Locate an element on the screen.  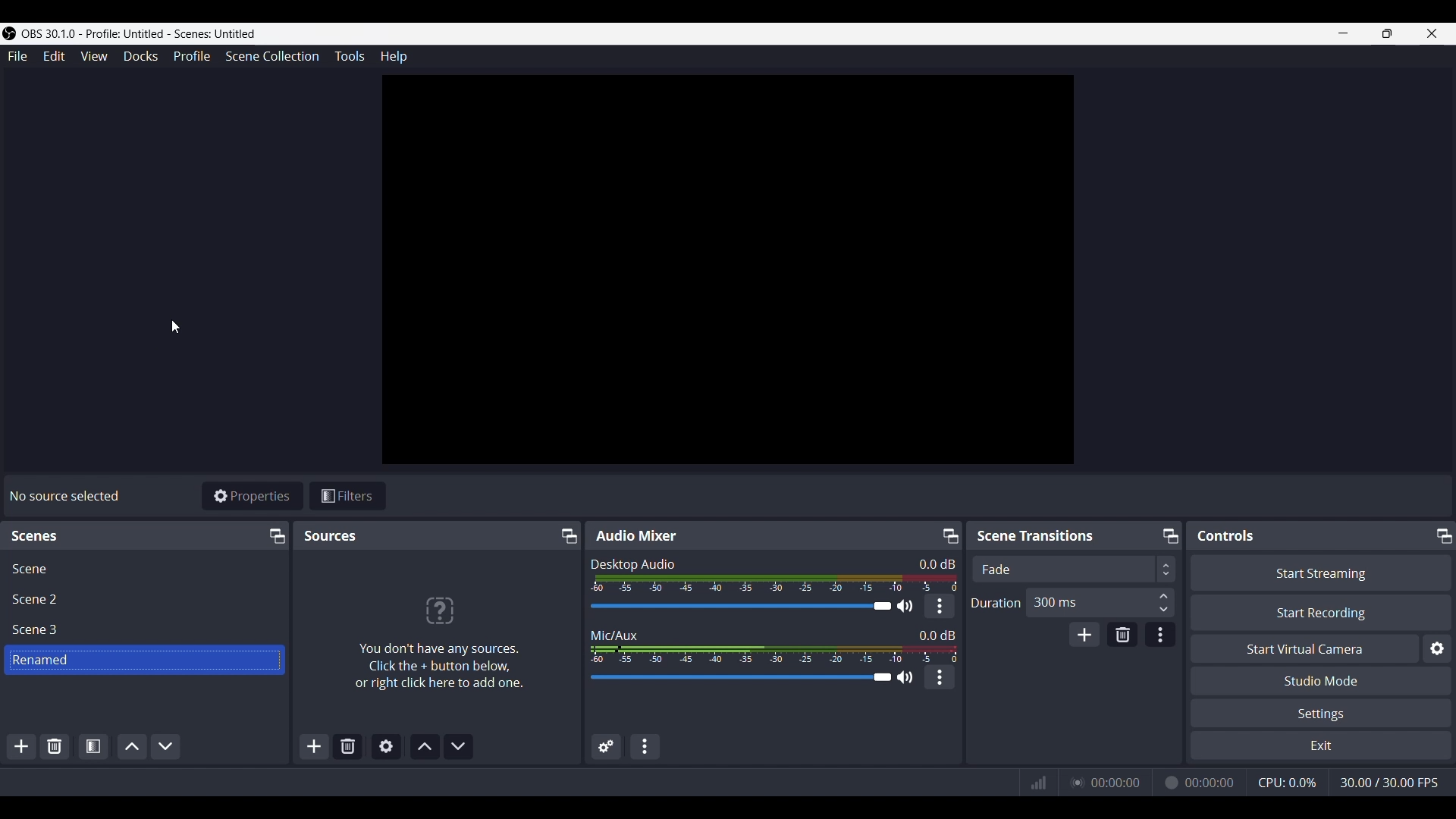
 Undock/Pop-out icon is located at coordinates (950, 535).